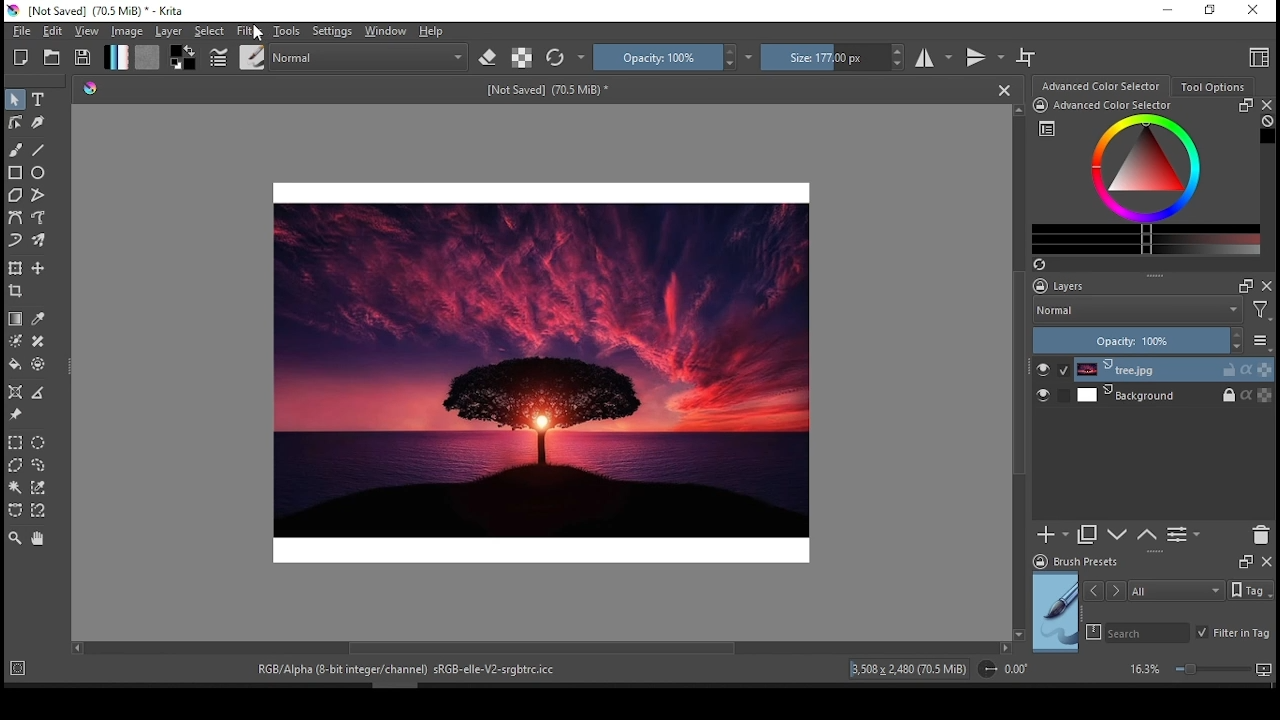 The width and height of the screenshot is (1280, 720). I want to click on opacity, so click(1136, 339).